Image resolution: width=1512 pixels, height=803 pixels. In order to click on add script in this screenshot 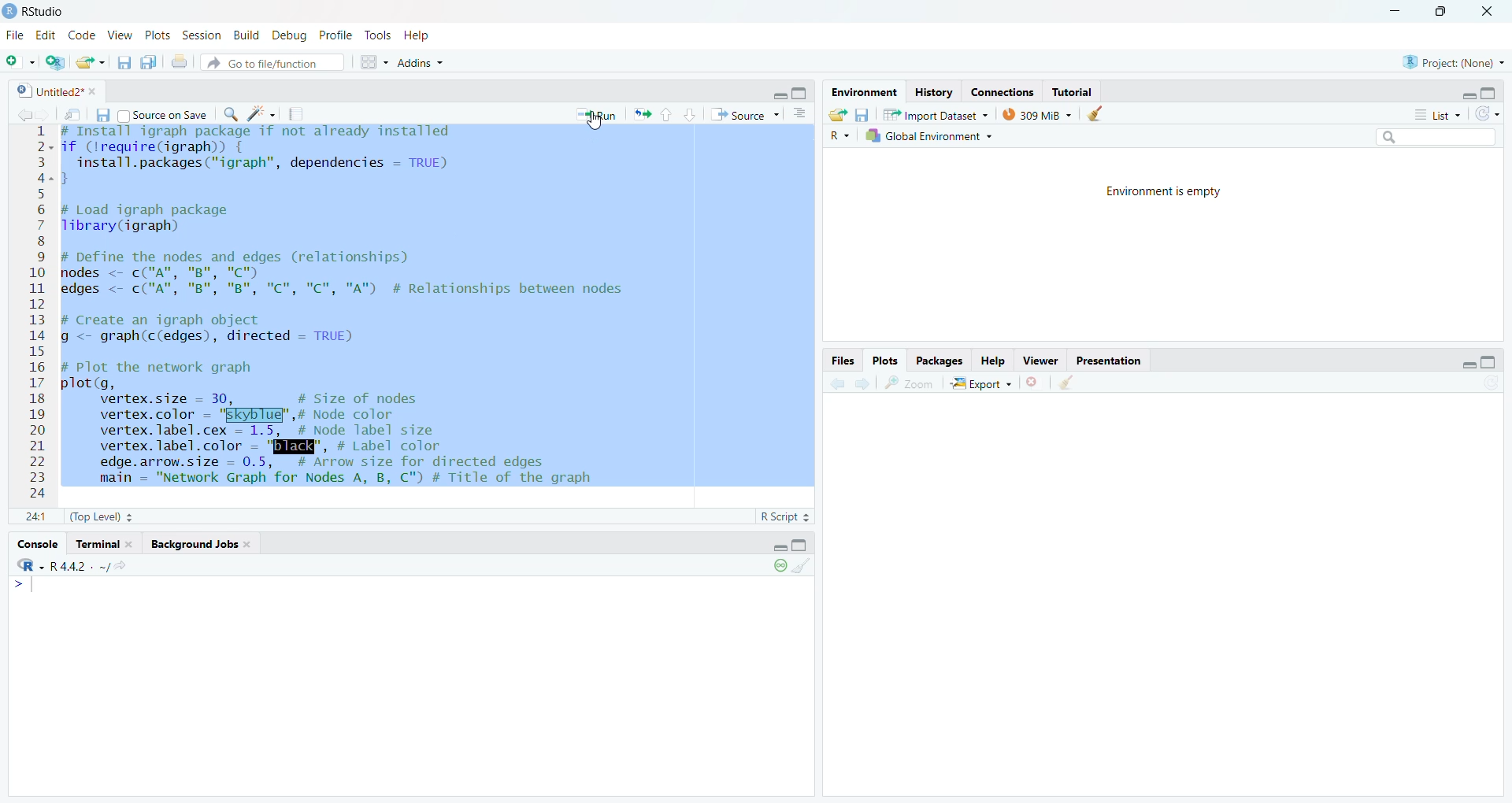, I will do `click(52, 62)`.